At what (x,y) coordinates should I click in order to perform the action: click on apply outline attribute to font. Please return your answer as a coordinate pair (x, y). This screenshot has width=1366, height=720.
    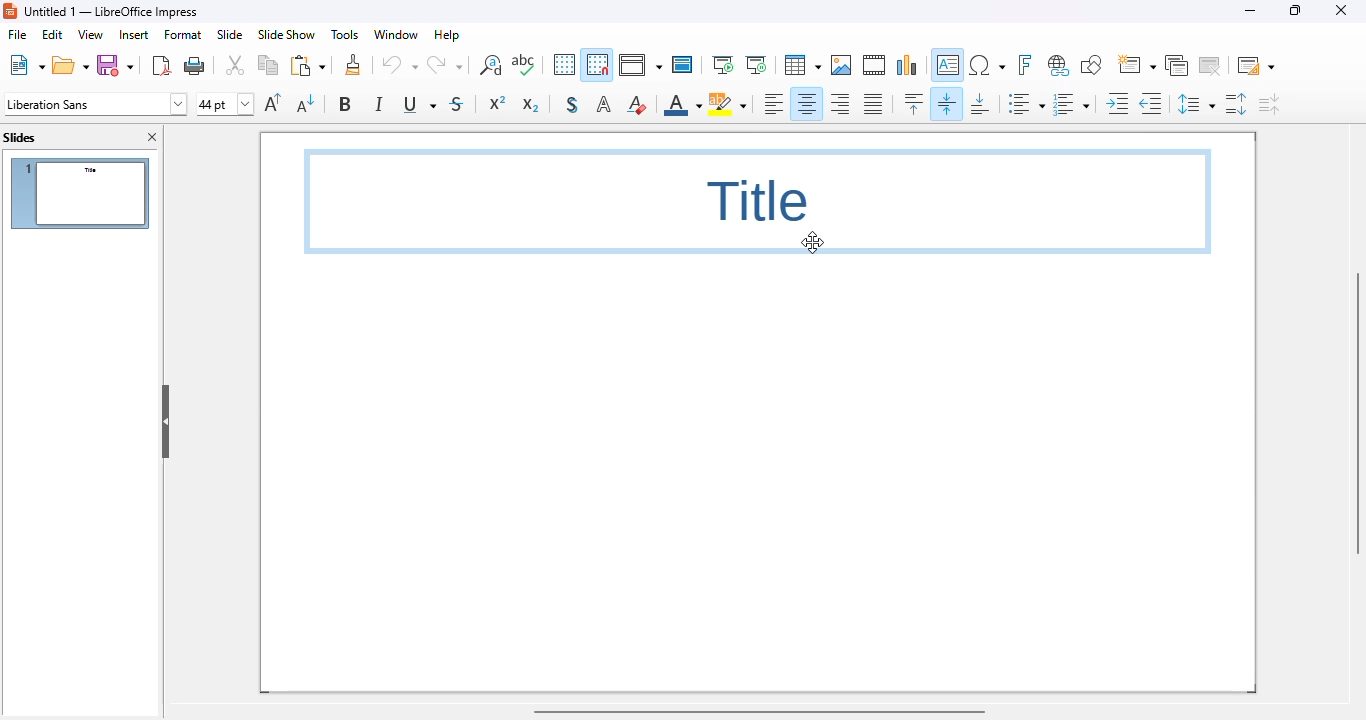
    Looking at the image, I should click on (604, 105).